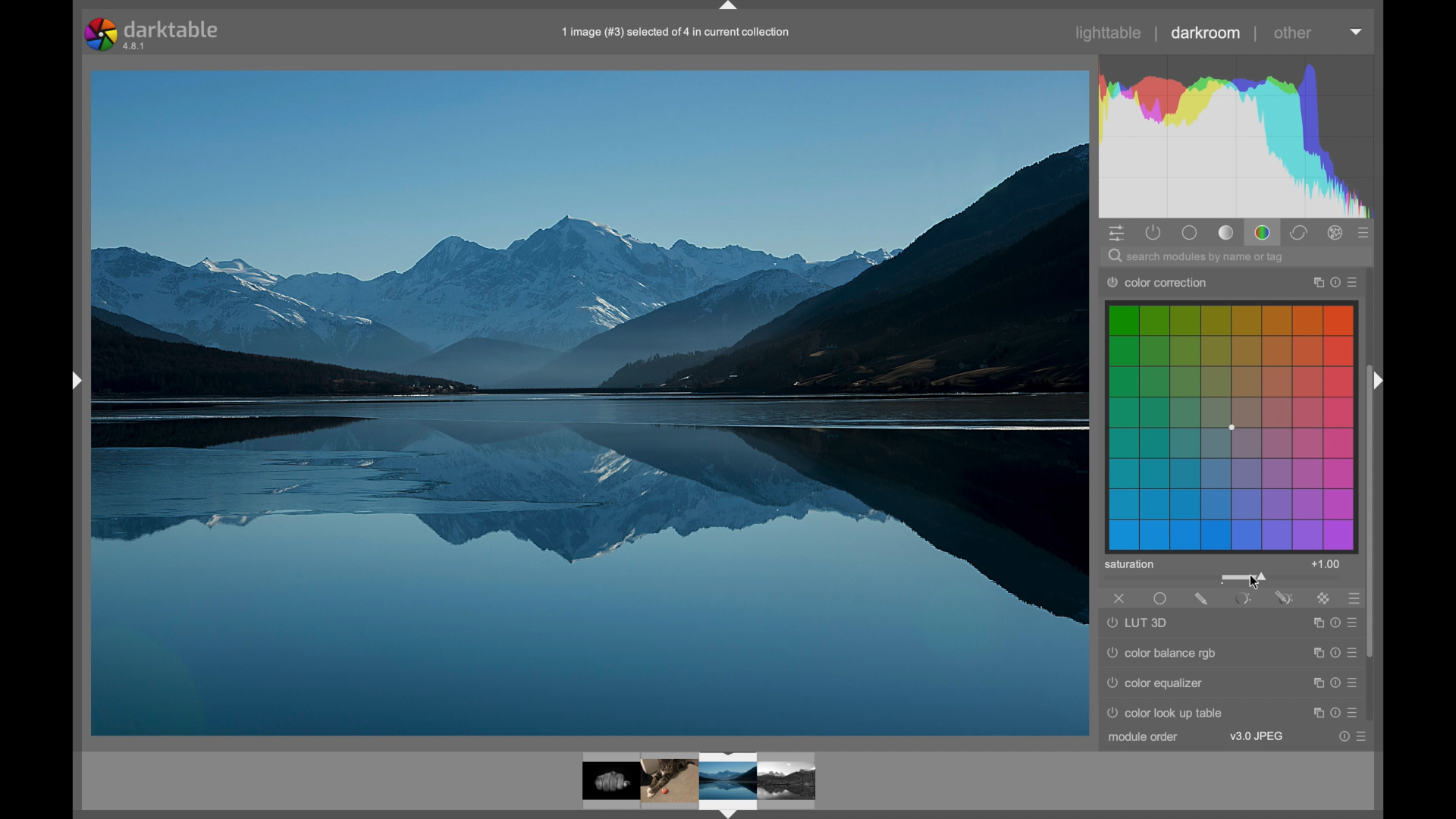 The height and width of the screenshot is (819, 1456). What do you see at coordinates (1169, 713) in the screenshot?
I see `color look up table` at bounding box center [1169, 713].